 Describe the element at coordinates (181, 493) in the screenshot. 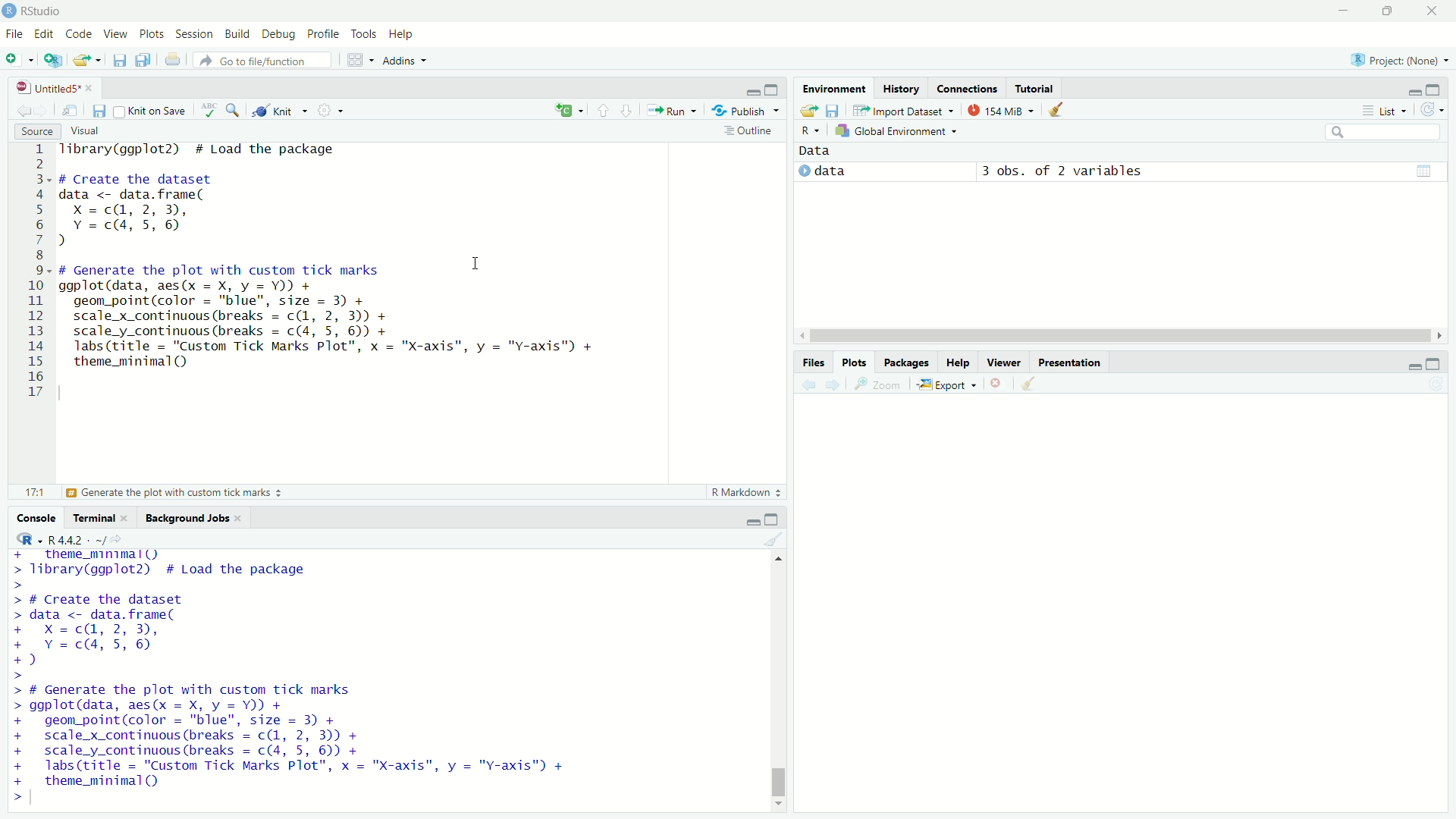

I see `generate the plot with custom tick marks` at that location.